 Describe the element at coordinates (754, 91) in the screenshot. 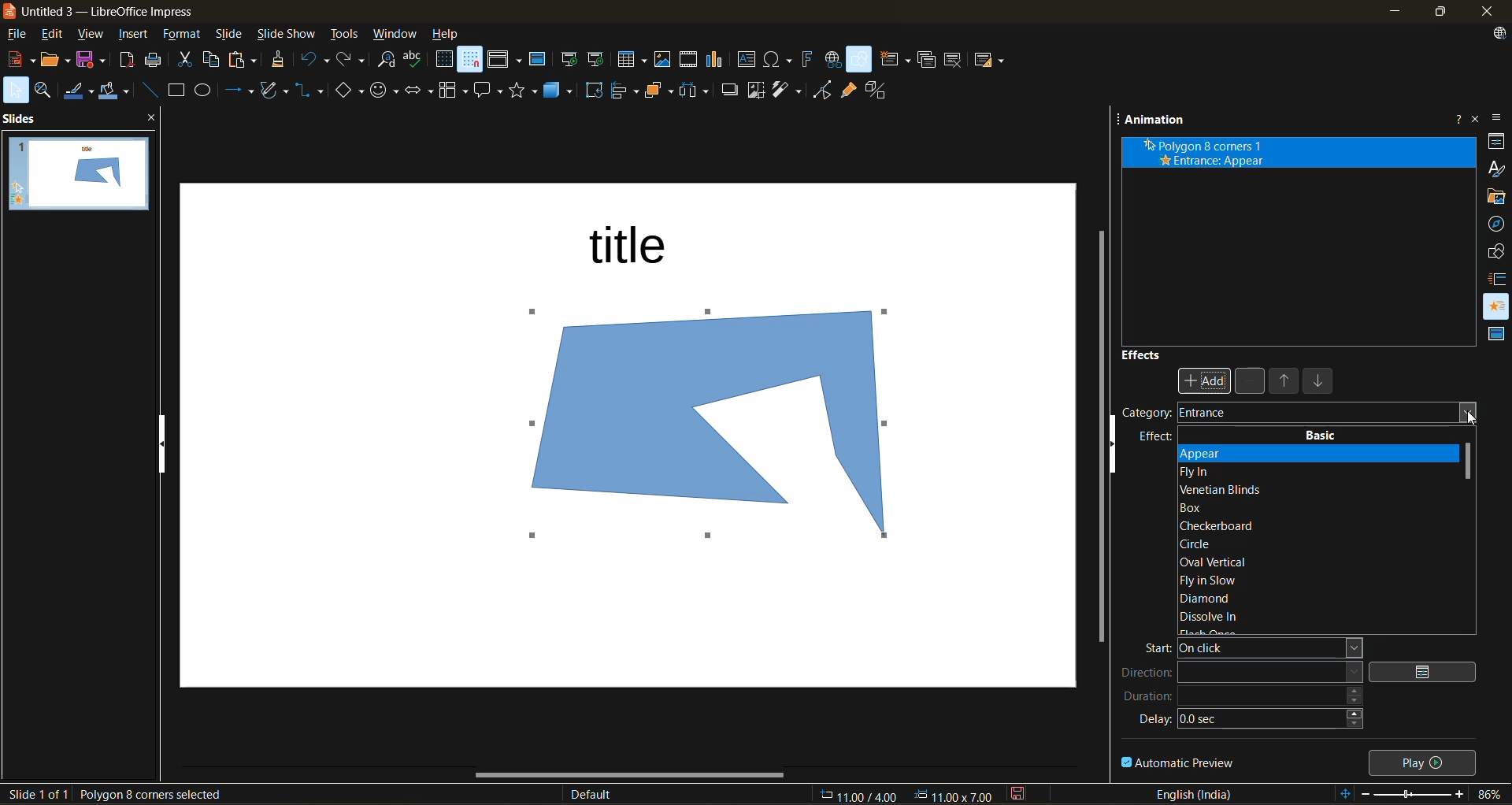

I see `crop image` at that location.